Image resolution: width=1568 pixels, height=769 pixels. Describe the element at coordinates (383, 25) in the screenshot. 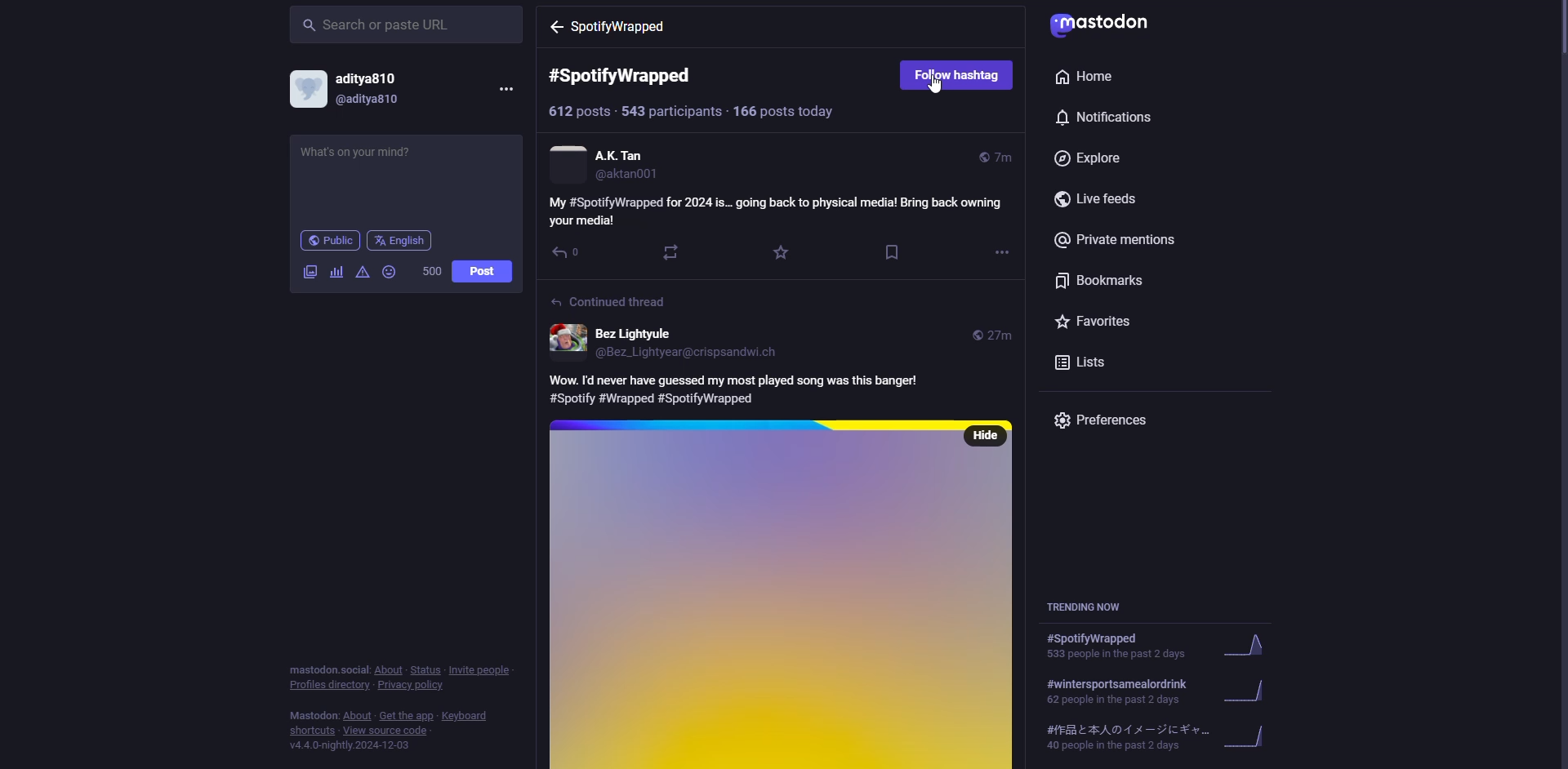

I see `search` at that location.